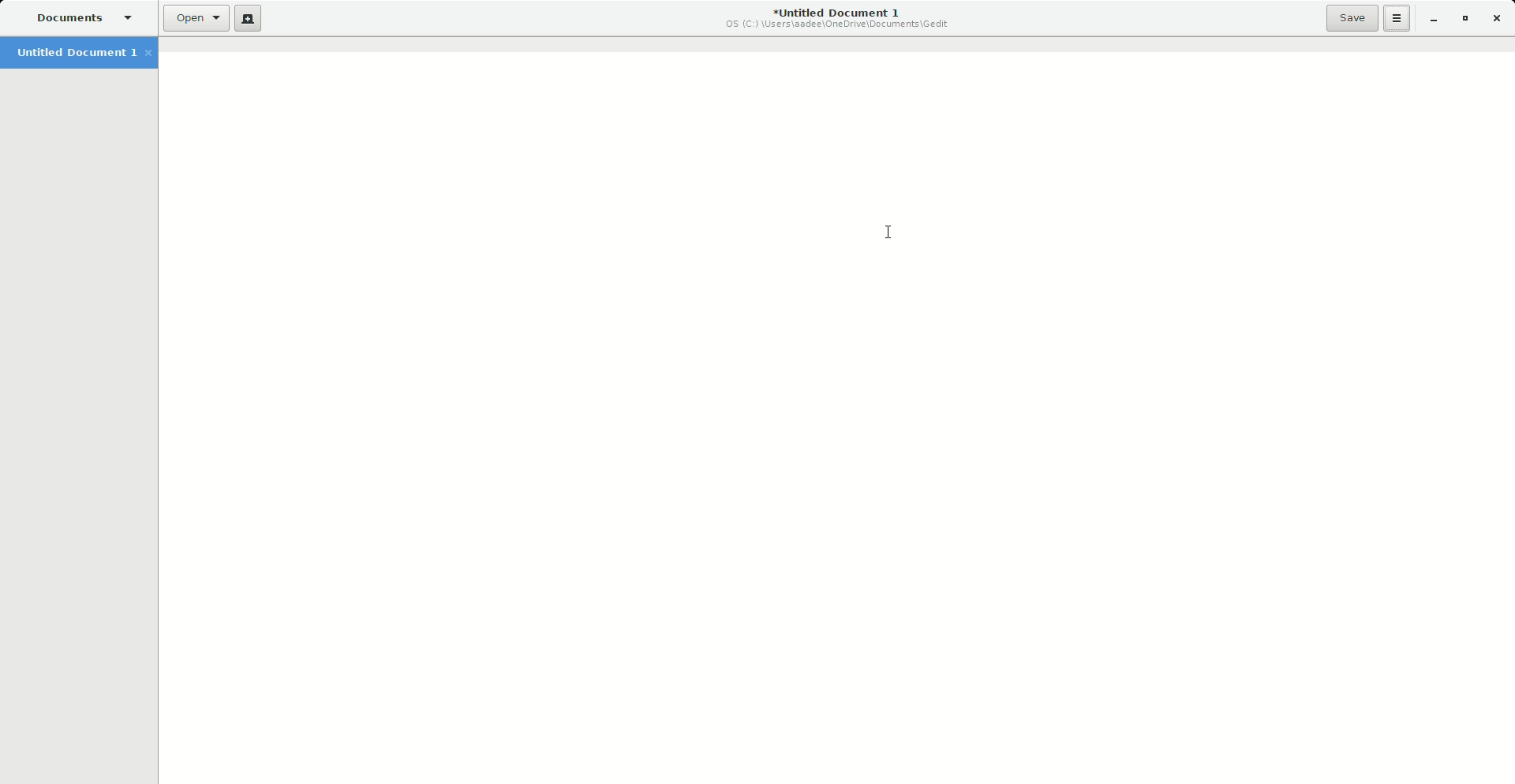  Describe the element at coordinates (1464, 18) in the screenshot. I see `Restore` at that location.